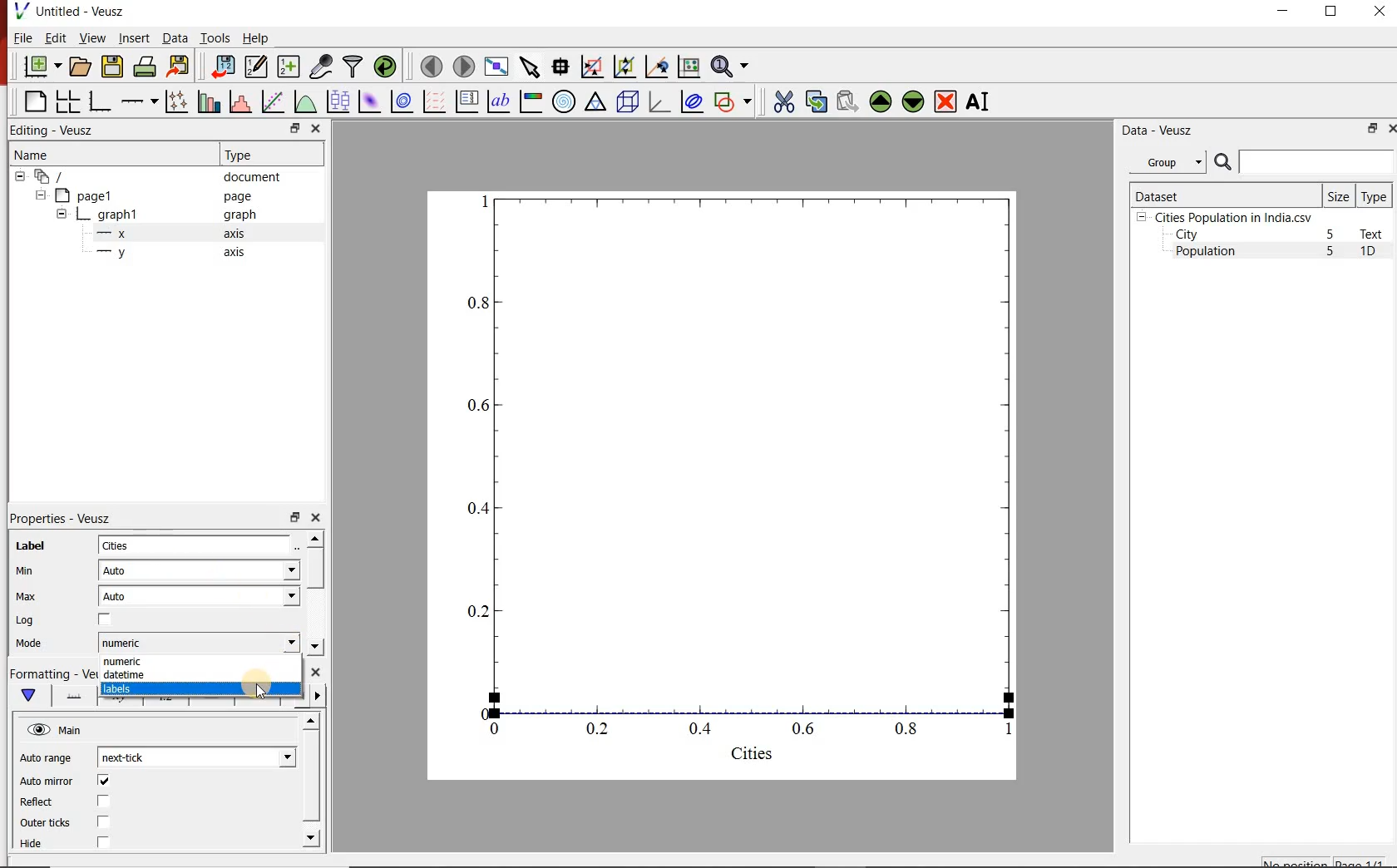 Image resolution: width=1397 pixels, height=868 pixels. I want to click on 3d scene, so click(626, 101).